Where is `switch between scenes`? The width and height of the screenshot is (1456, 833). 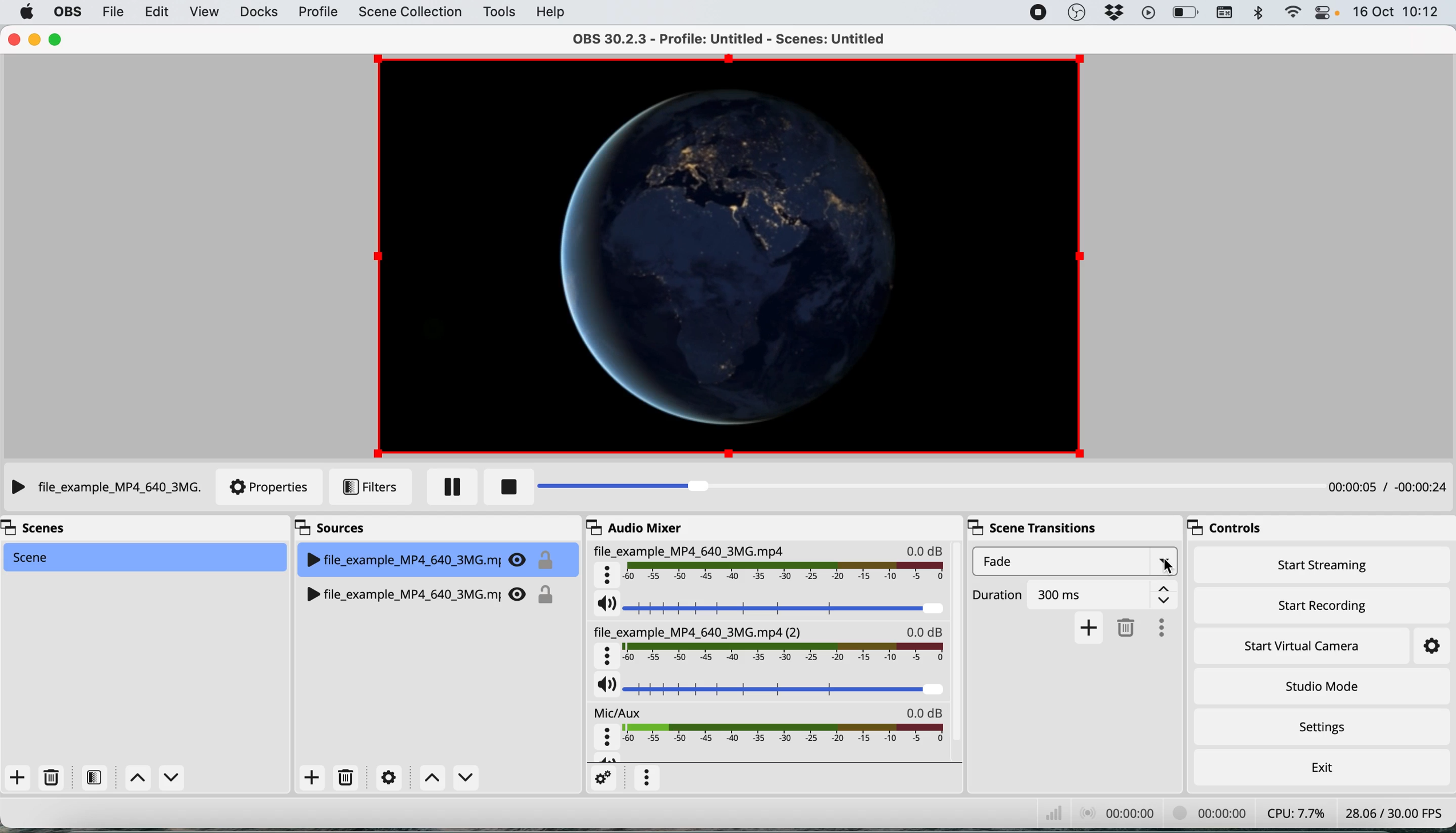
switch between scenes is located at coordinates (137, 778).